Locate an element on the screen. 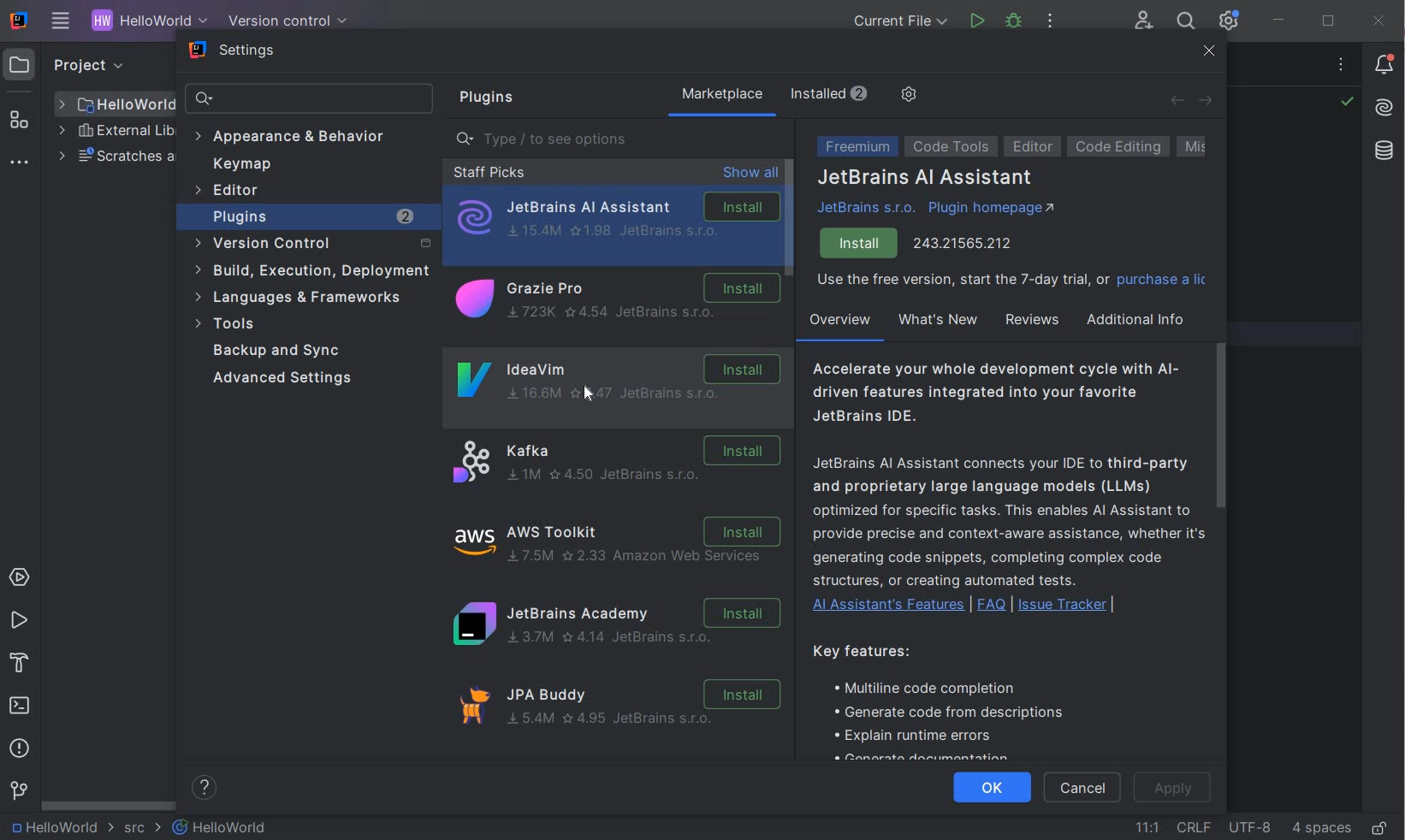 Image resolution: width=1405 pixels, height=840 pixels. FORWARD is located at coordinates (1206, 102).